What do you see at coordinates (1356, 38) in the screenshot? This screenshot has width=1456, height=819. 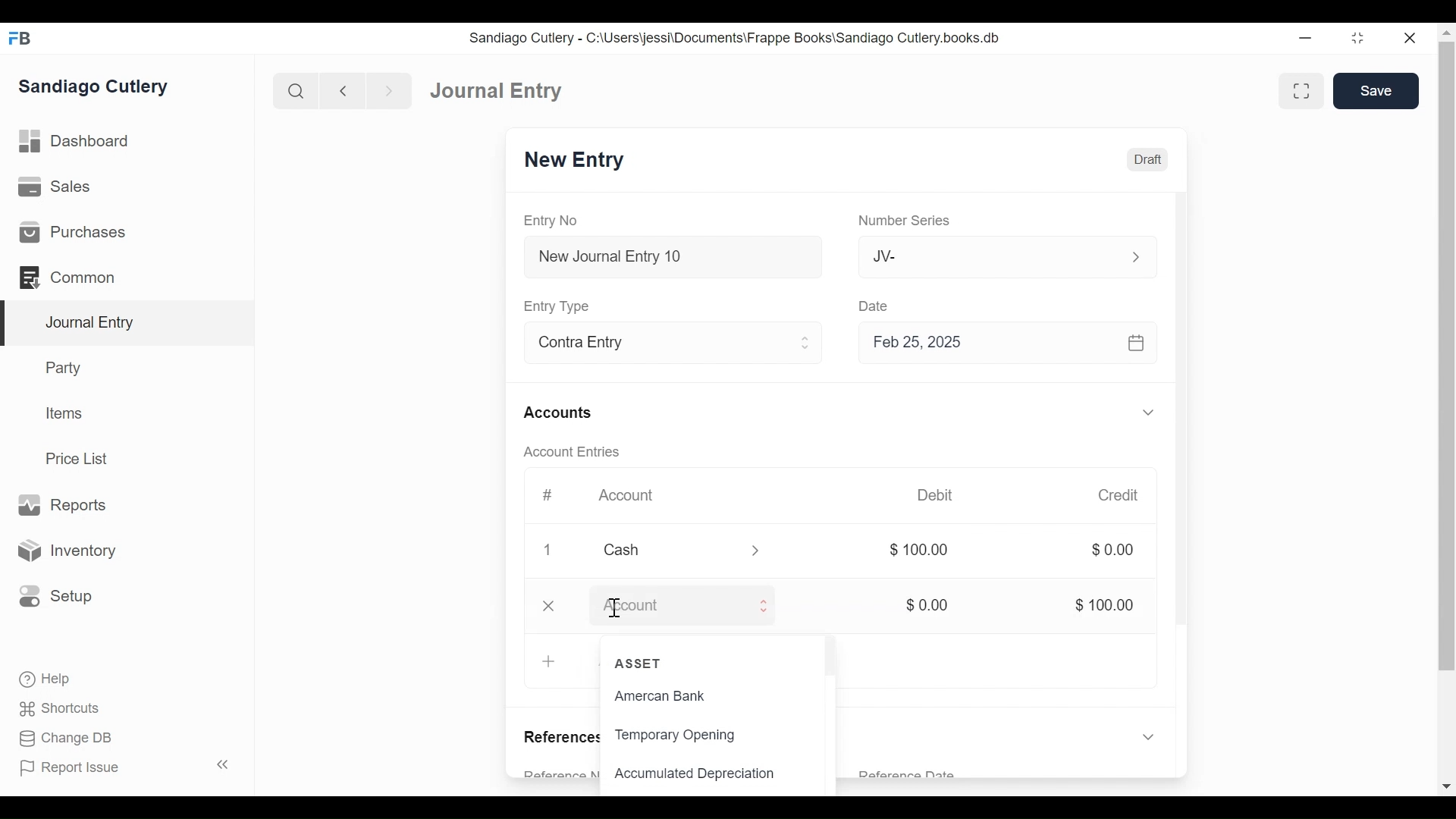 I see `Restore` at bounding box center [1356, 38].